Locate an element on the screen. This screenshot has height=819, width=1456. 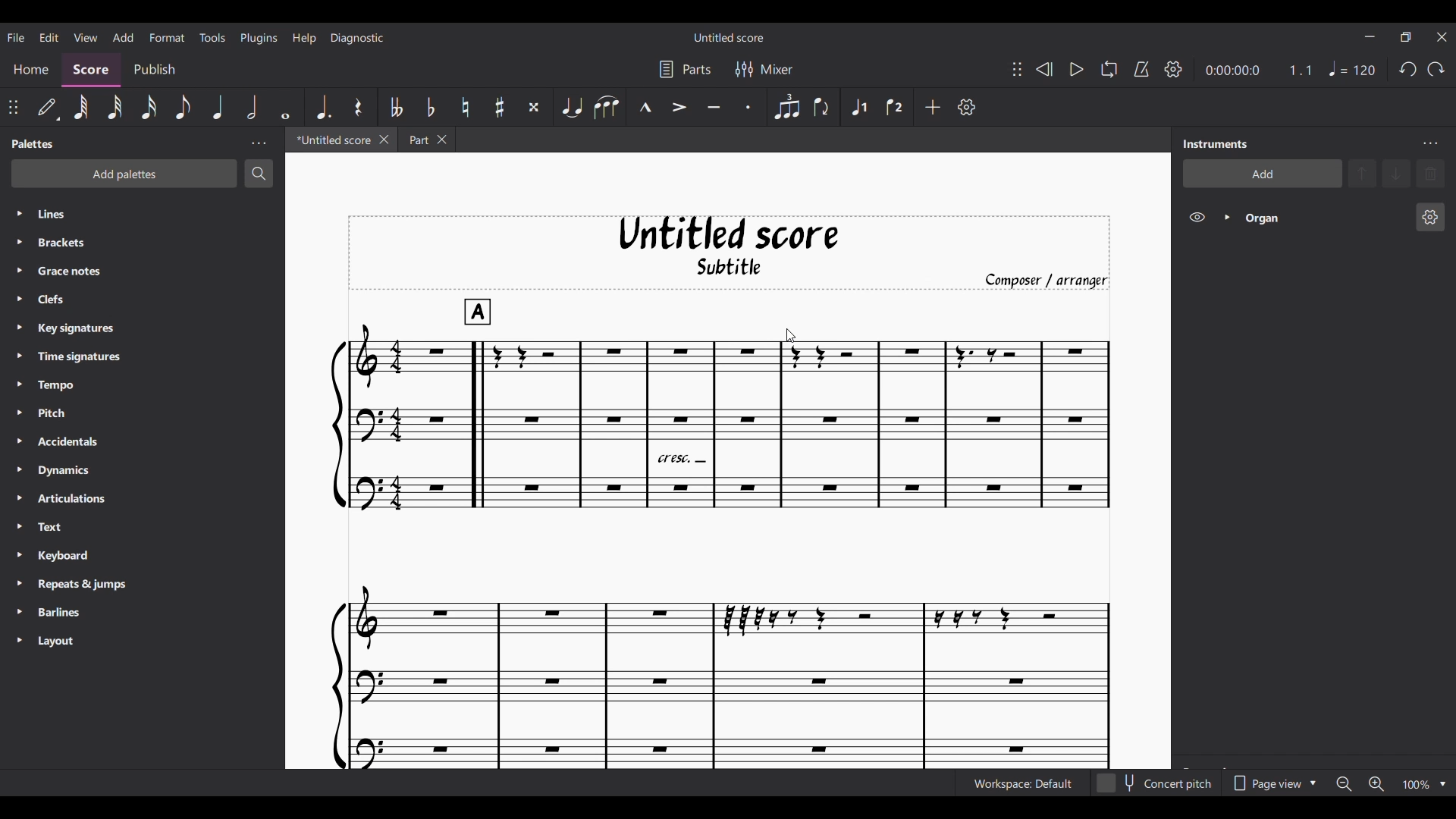
Move selection down is located at coordinates (1396, 174).